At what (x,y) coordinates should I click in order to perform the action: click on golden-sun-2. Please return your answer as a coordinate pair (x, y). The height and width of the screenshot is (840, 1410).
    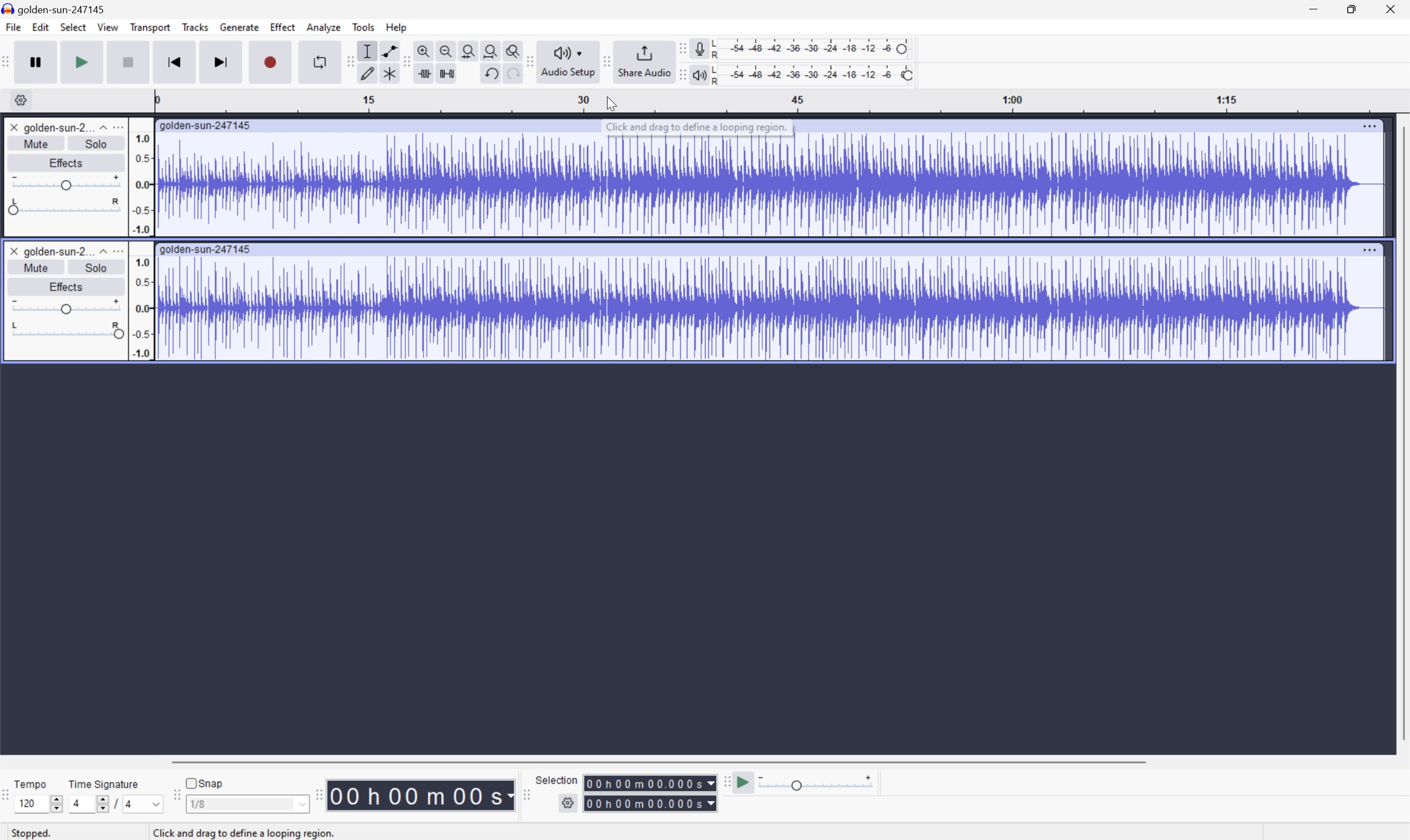
    Looking at the image, I should click on (57, 128).